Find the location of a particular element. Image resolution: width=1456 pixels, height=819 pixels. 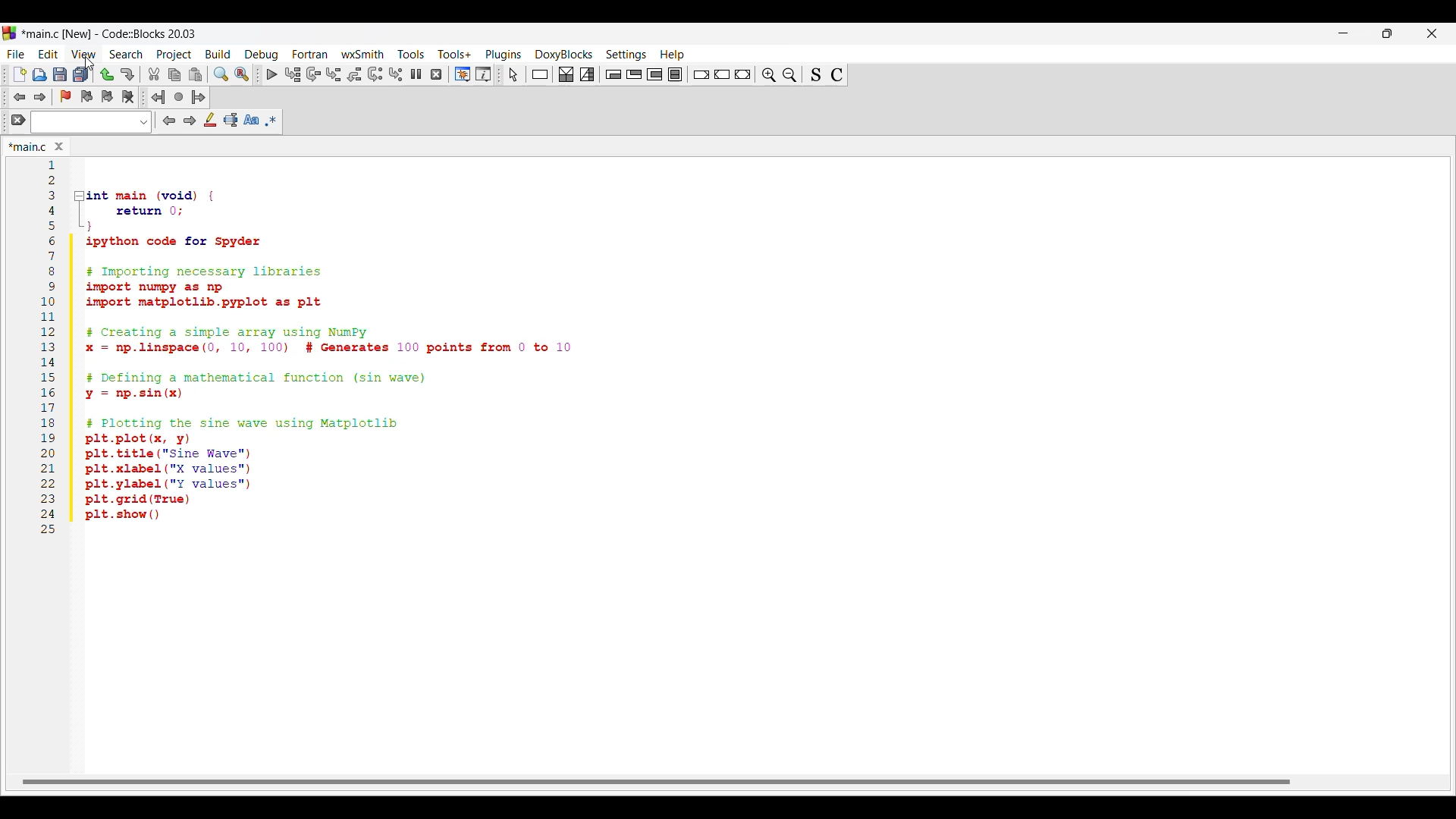

Tools+ menu is located at coordinates (455, 54).